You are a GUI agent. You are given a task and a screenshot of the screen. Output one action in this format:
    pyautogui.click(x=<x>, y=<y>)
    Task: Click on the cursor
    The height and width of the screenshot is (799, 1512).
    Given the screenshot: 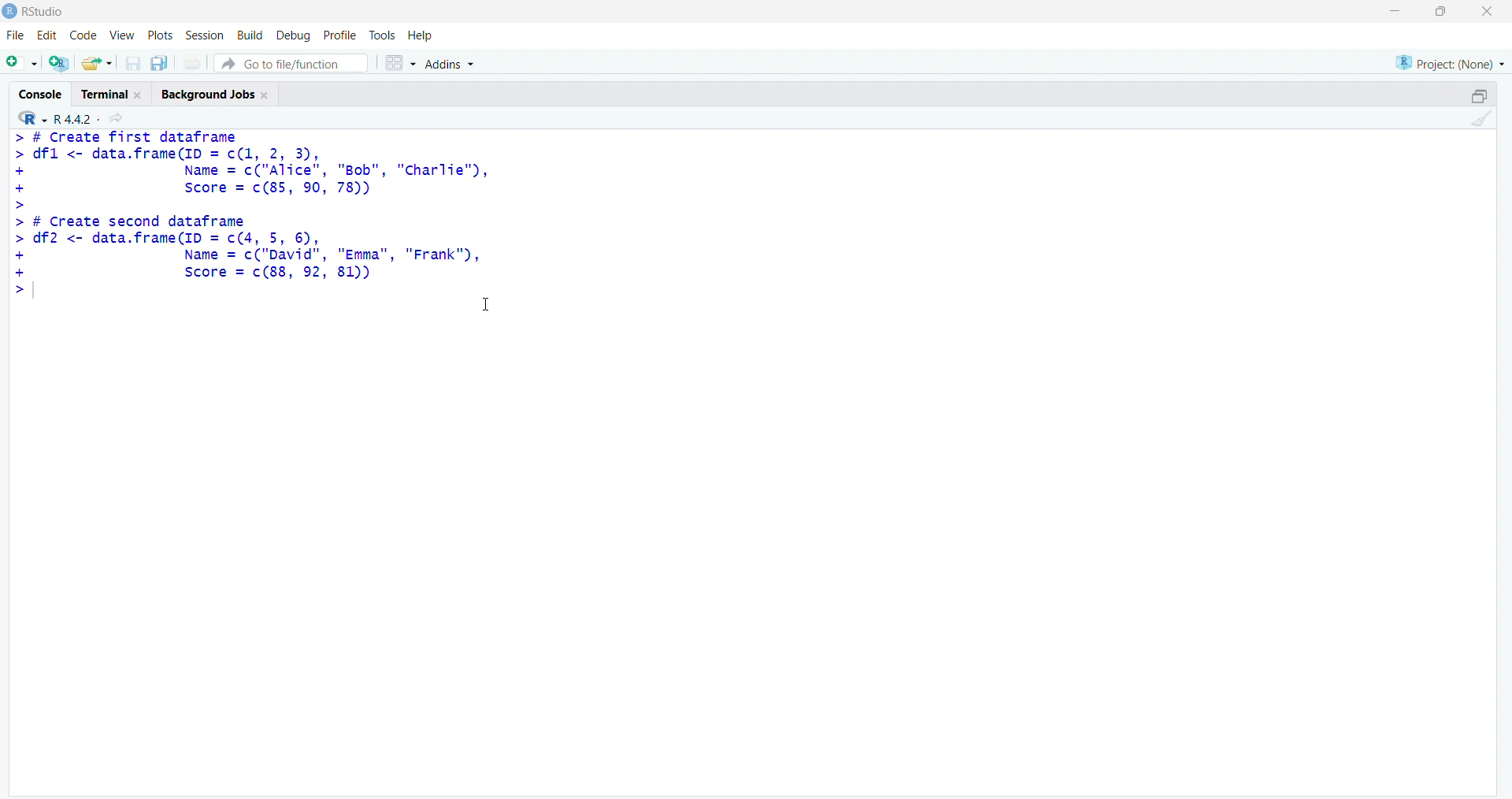 What is the action you would take?
    pyautogui.click(x=486, y=304)
    